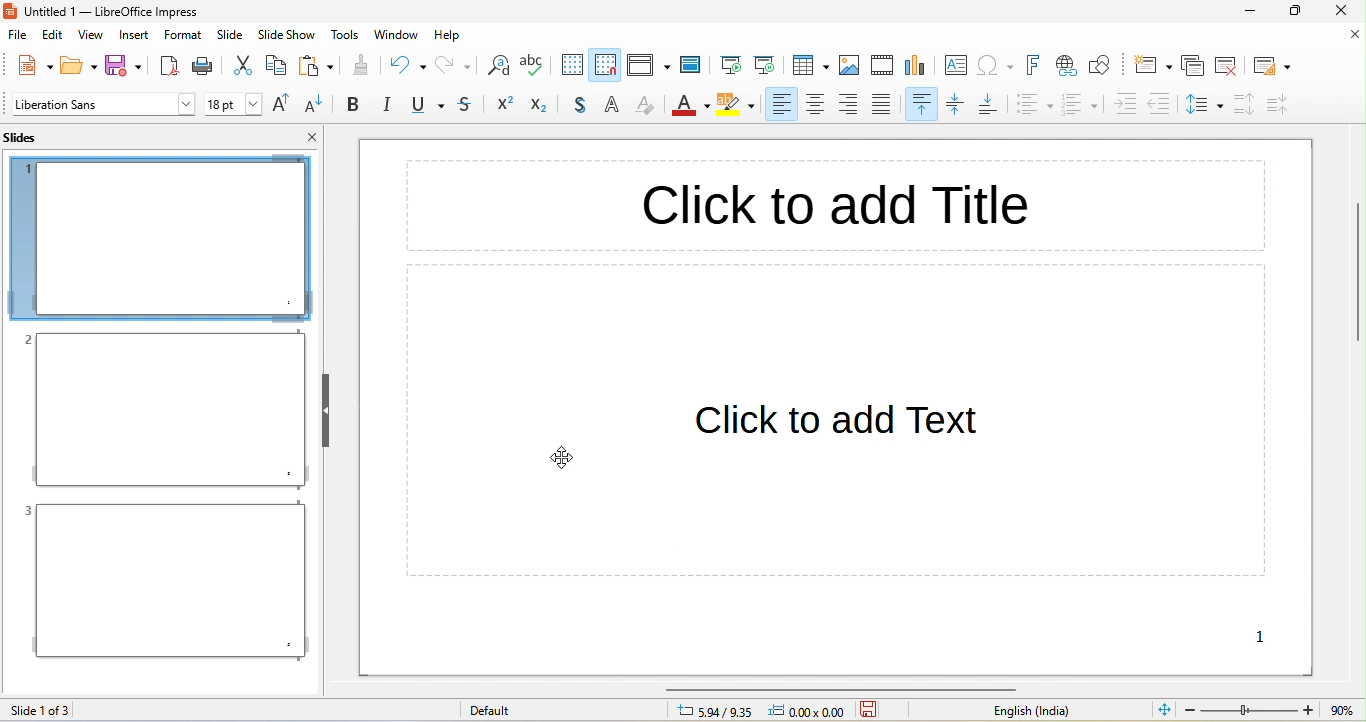 Image resolution: width=1366 pixels, height=722 pixels. Describe the element at coordinates (1273, 64) in the screenshot. I see `slide layout` at that location.